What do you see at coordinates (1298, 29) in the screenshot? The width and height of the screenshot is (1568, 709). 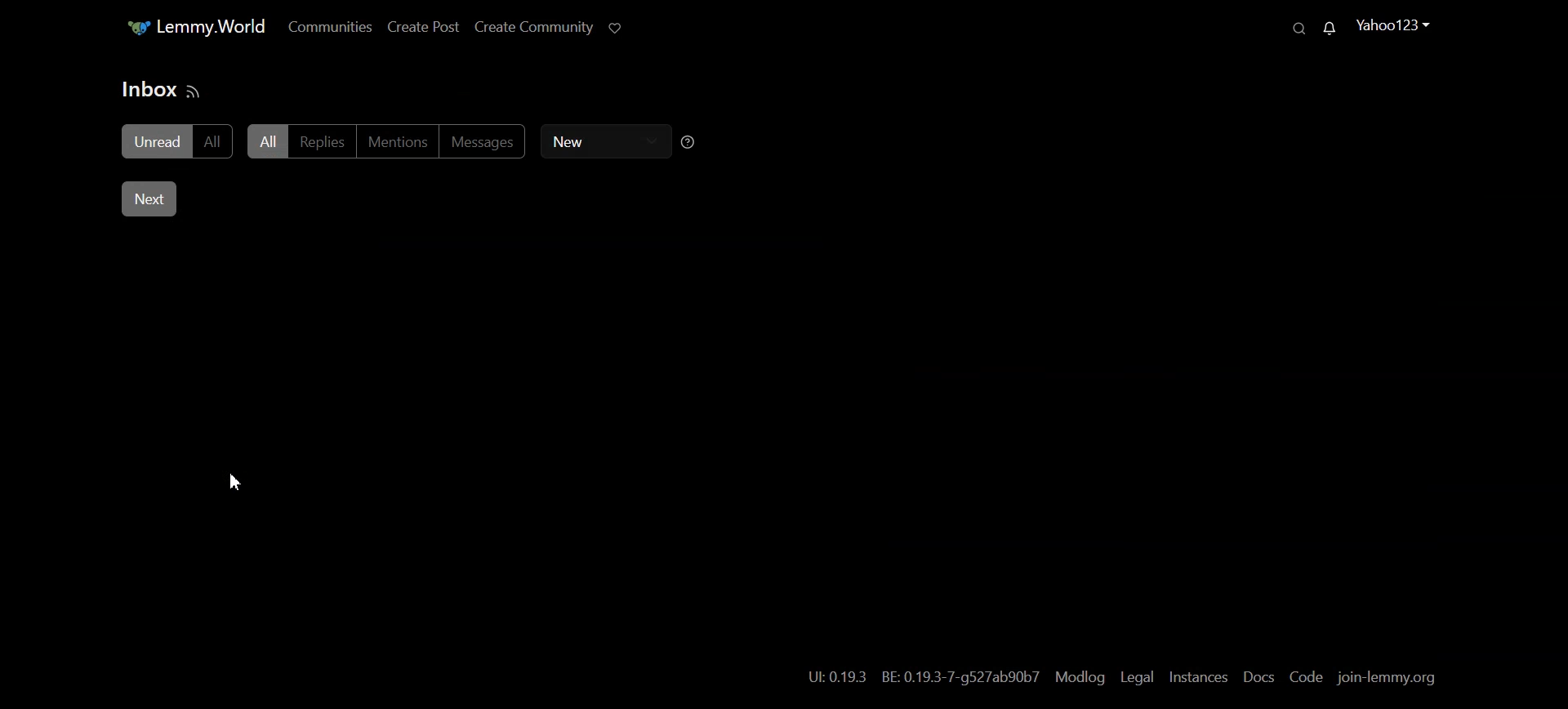 I see `Search` at bounding box center [1298, 29].